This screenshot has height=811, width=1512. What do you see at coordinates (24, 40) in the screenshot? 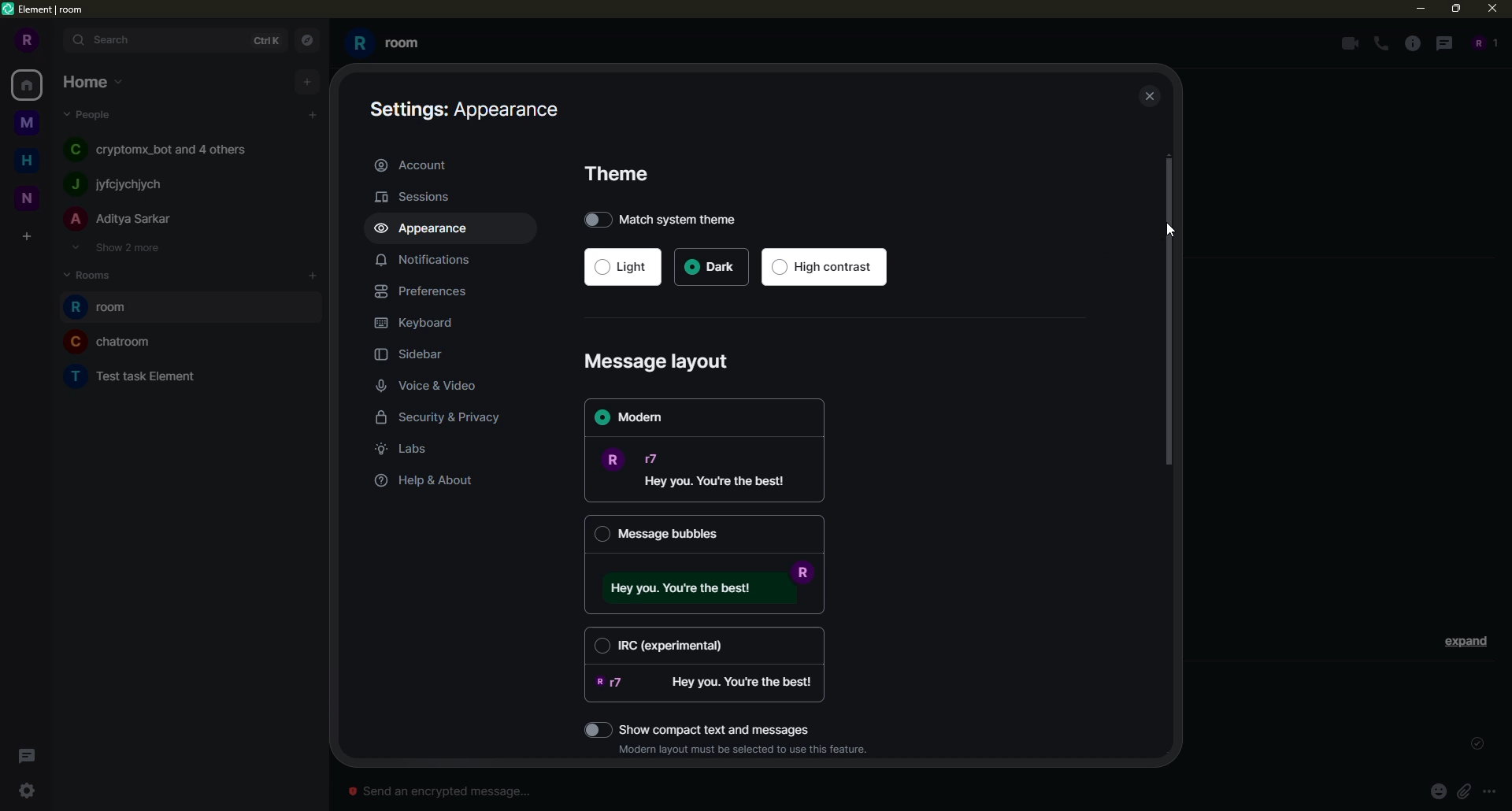
I see `profile` at bounding box center [24, 40].